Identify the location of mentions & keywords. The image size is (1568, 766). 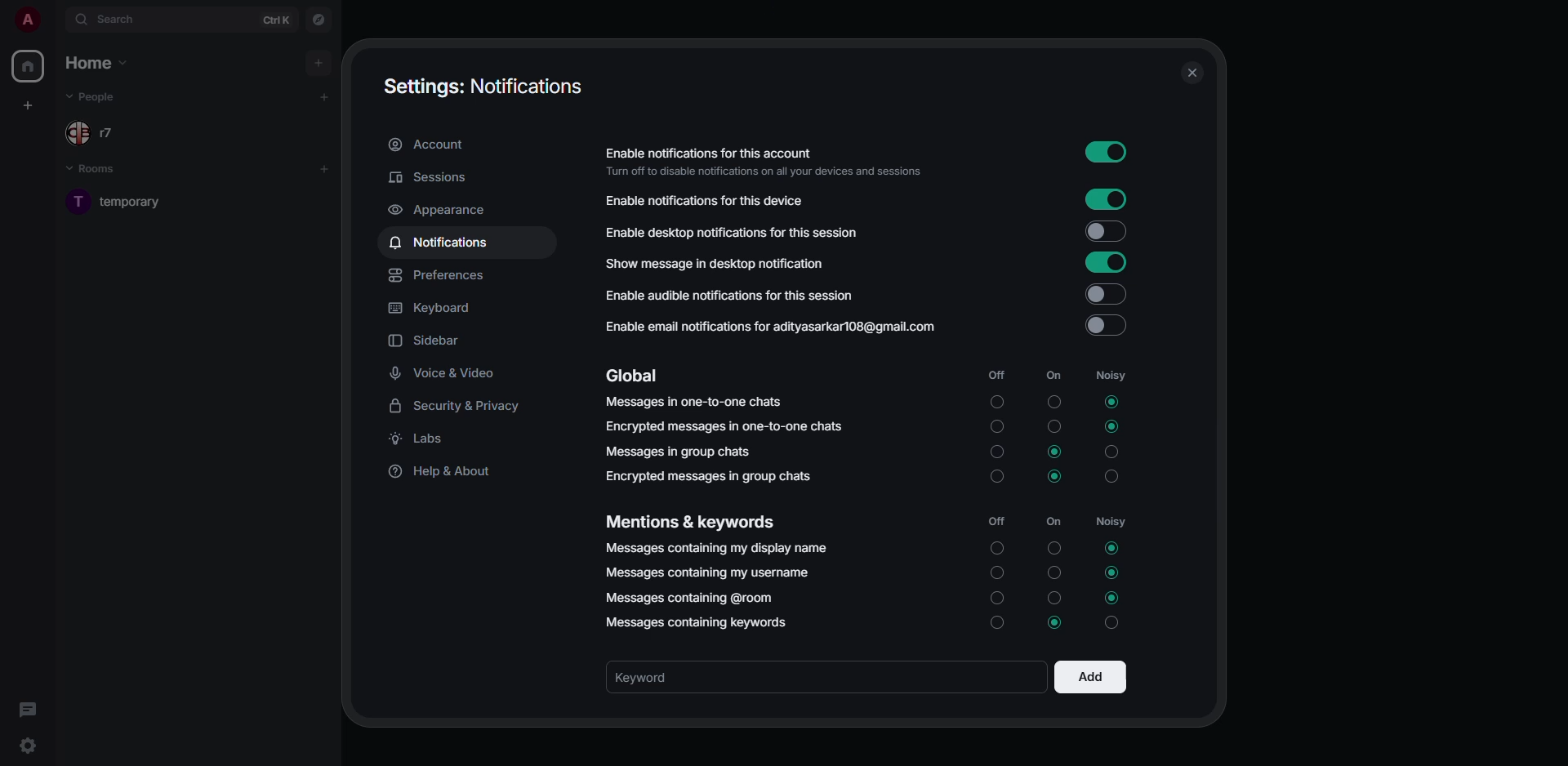
(688, 519).